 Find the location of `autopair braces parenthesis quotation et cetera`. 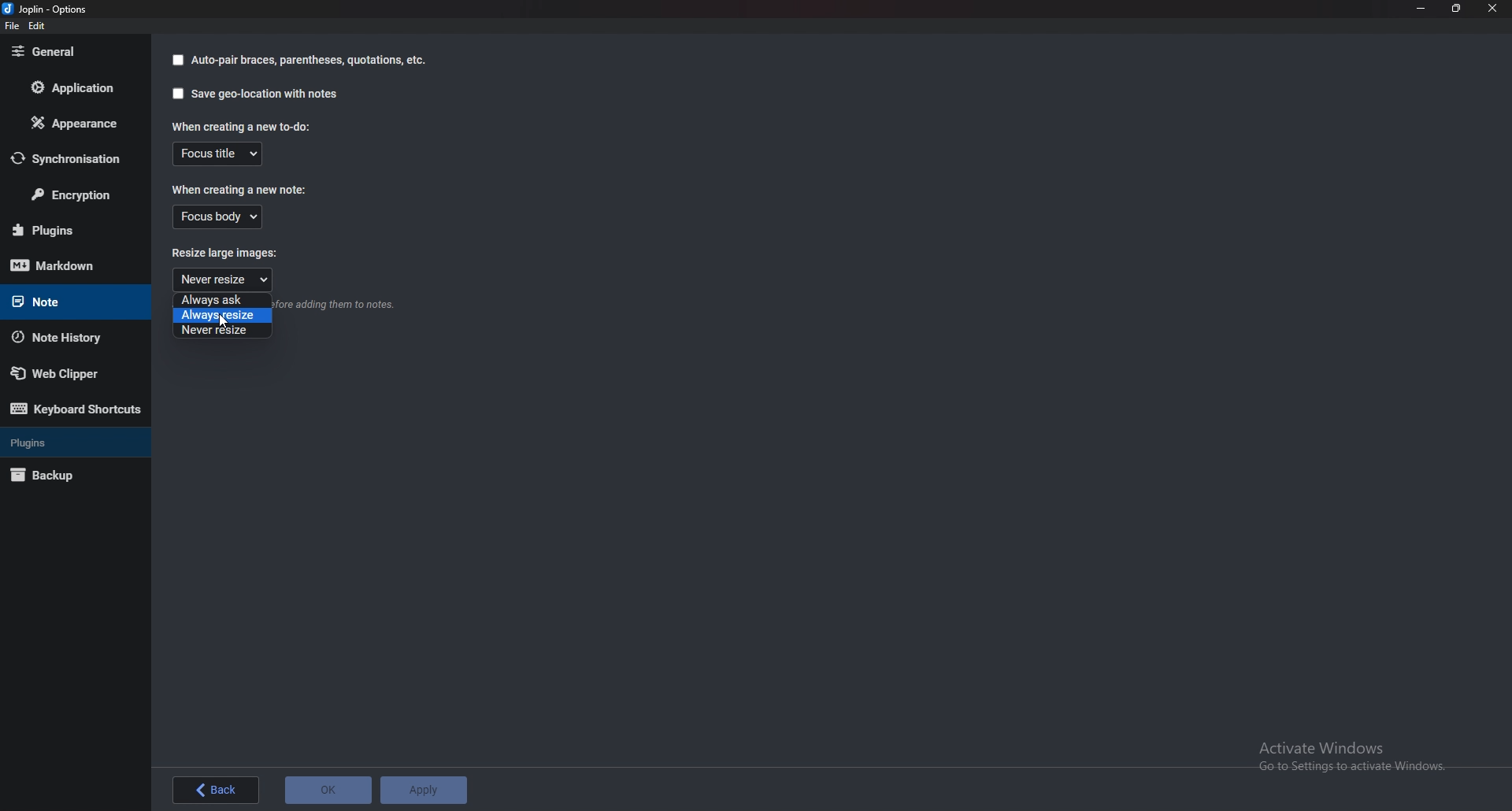

autopair braces parenthesis quotation et cetera is located at coordinates (298, 60).